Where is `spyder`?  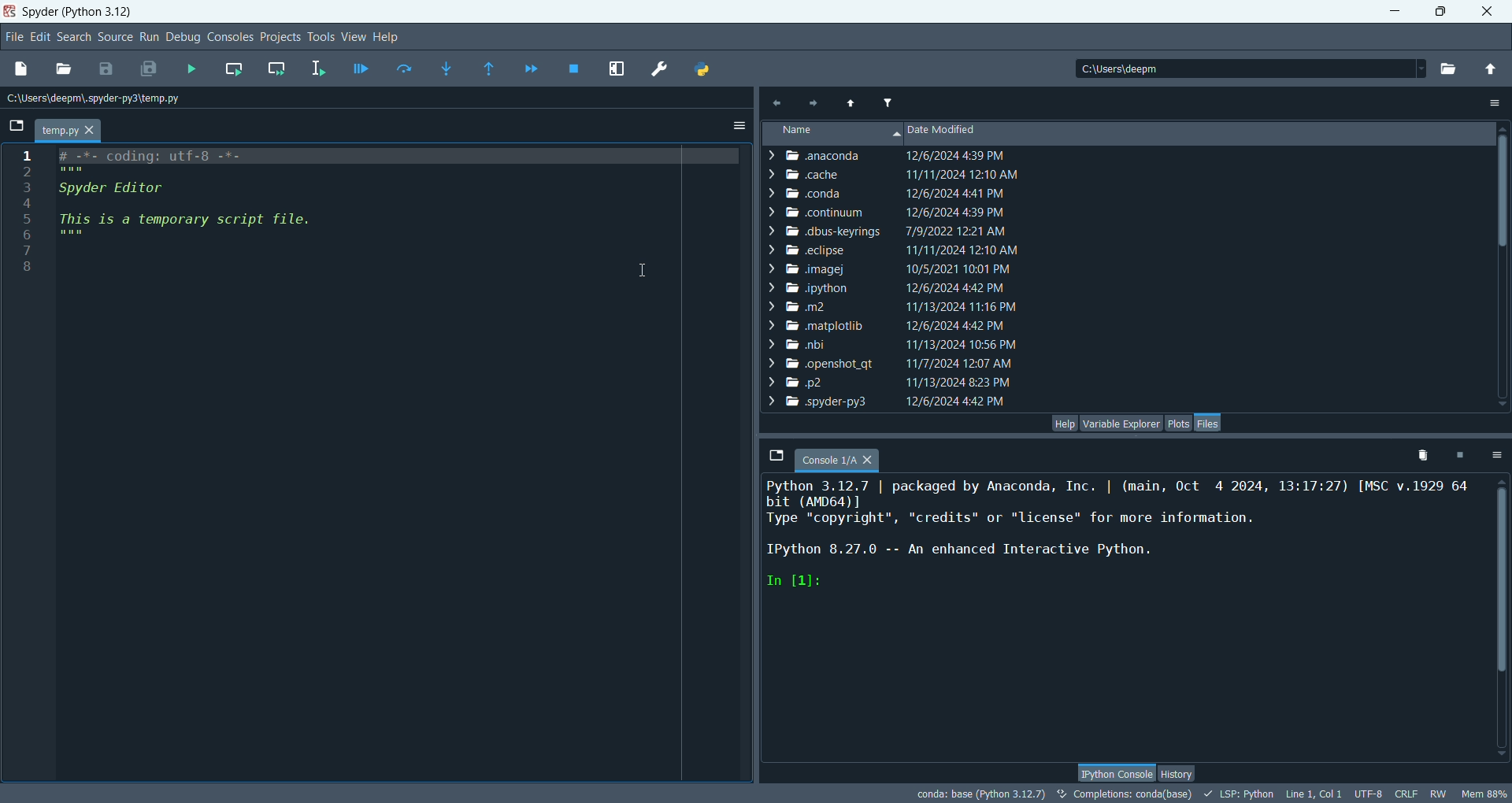 spyder is located at coordinates (79, 12).